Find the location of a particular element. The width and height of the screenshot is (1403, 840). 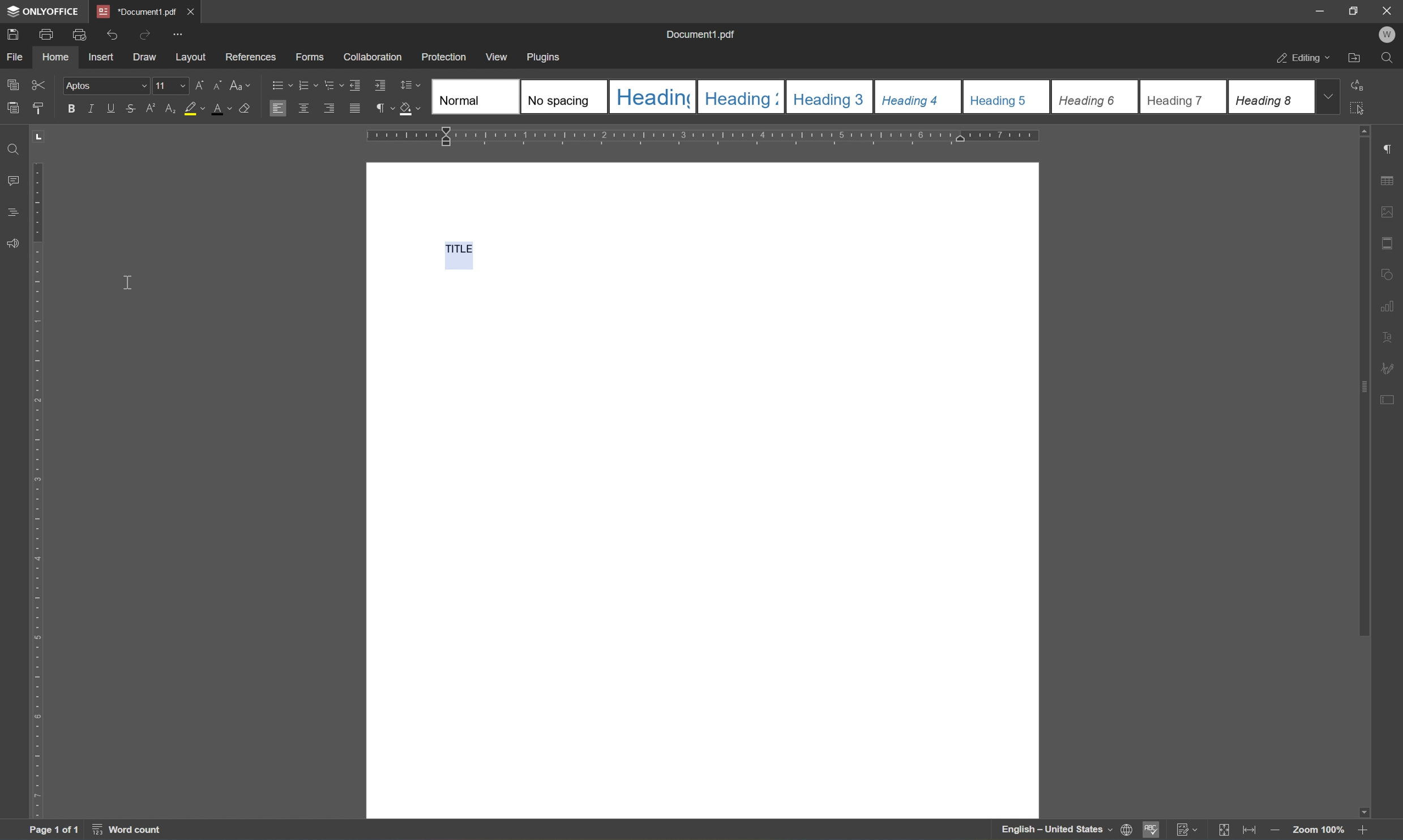

paragraph settings is located at coordinates (1392, 148).